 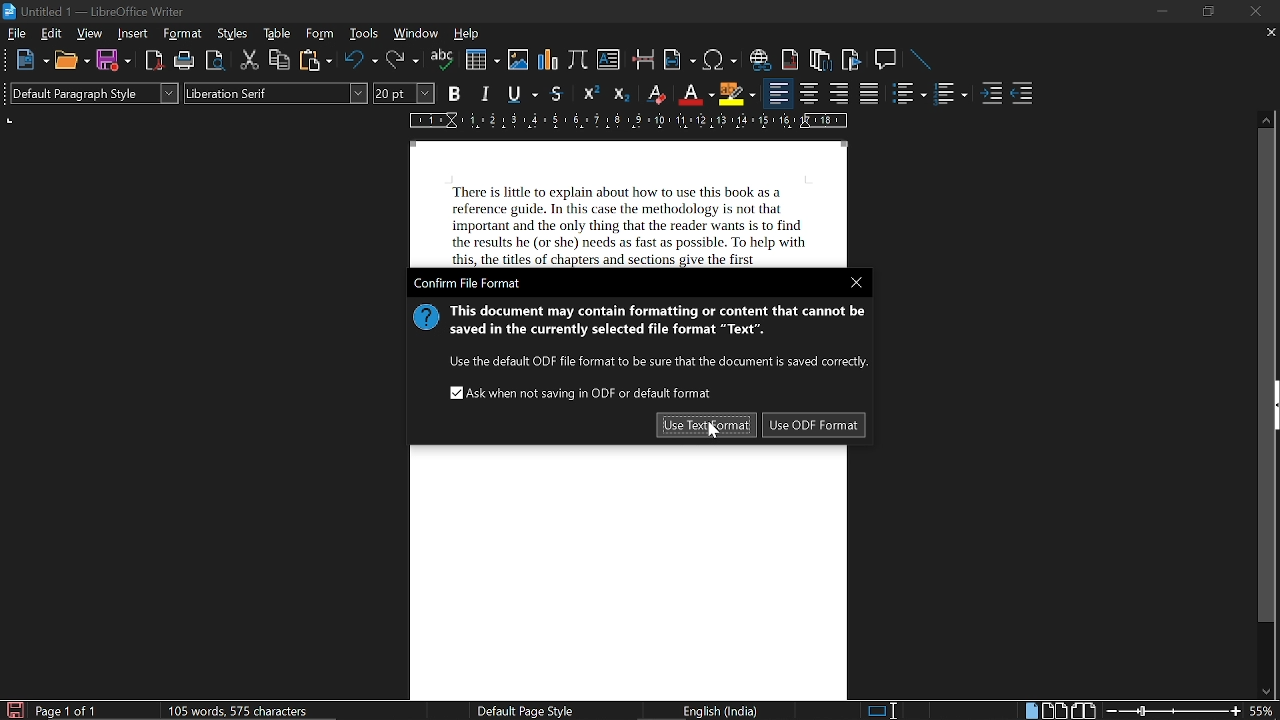 I want to click on window, so click(x=416, y=34).